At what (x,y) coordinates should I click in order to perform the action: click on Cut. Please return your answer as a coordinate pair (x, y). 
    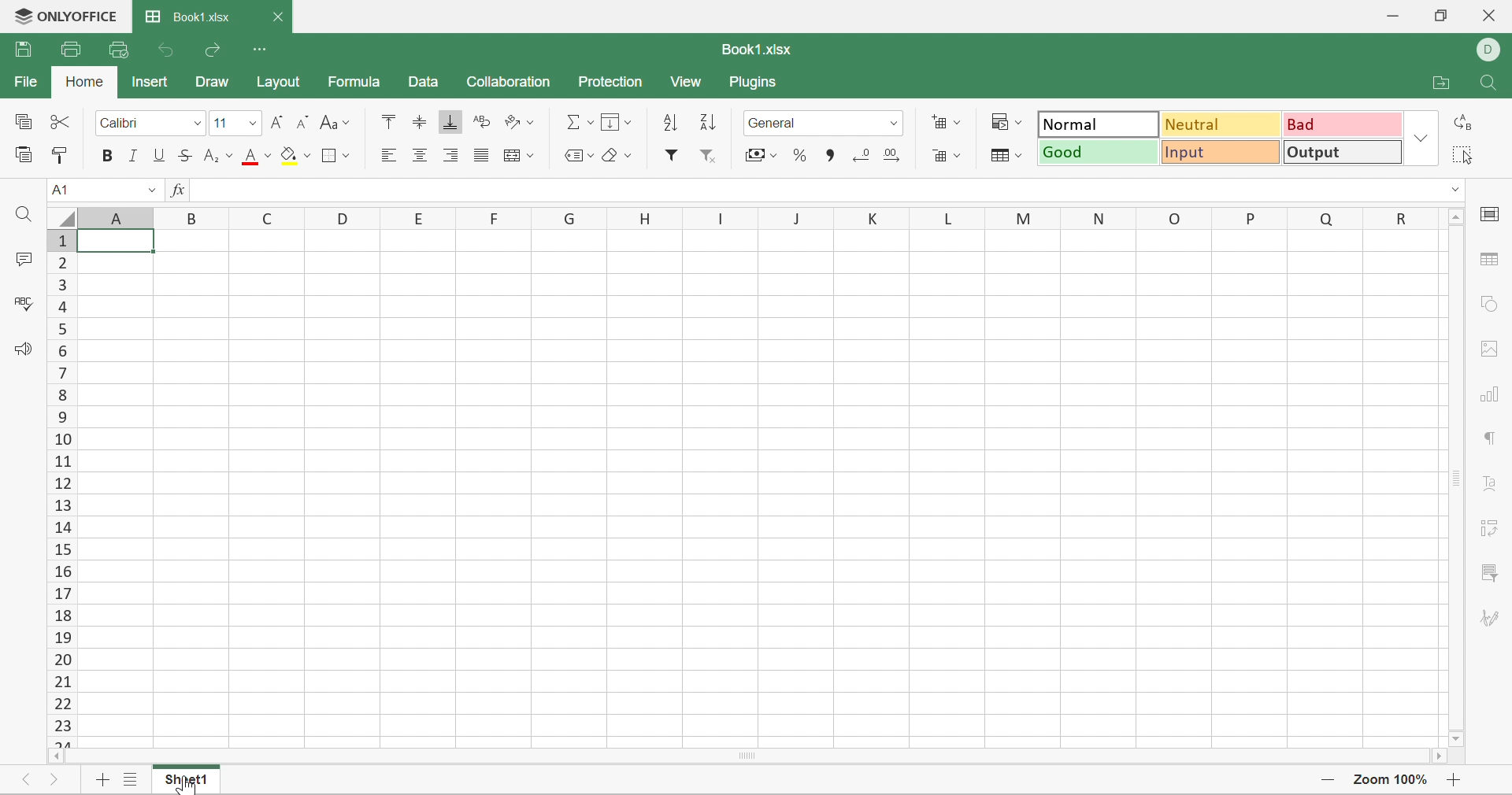
    Looking at the image, I should click on (65, 124).